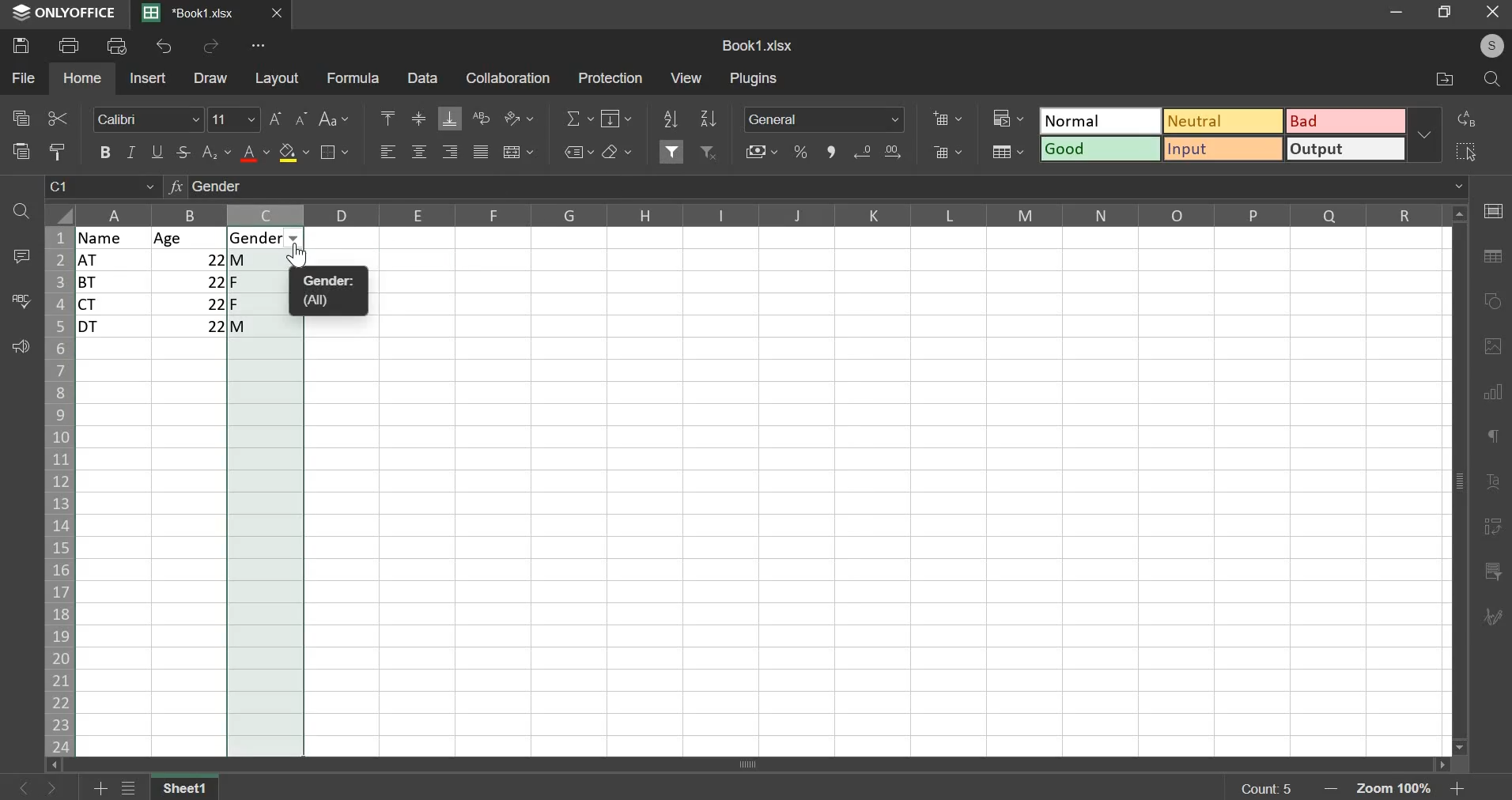 The image size is (1512, 800). What do you see at coordinates (891, 151) in the screenshot?
I see `increase decimal` at bounding box center [891, 151].